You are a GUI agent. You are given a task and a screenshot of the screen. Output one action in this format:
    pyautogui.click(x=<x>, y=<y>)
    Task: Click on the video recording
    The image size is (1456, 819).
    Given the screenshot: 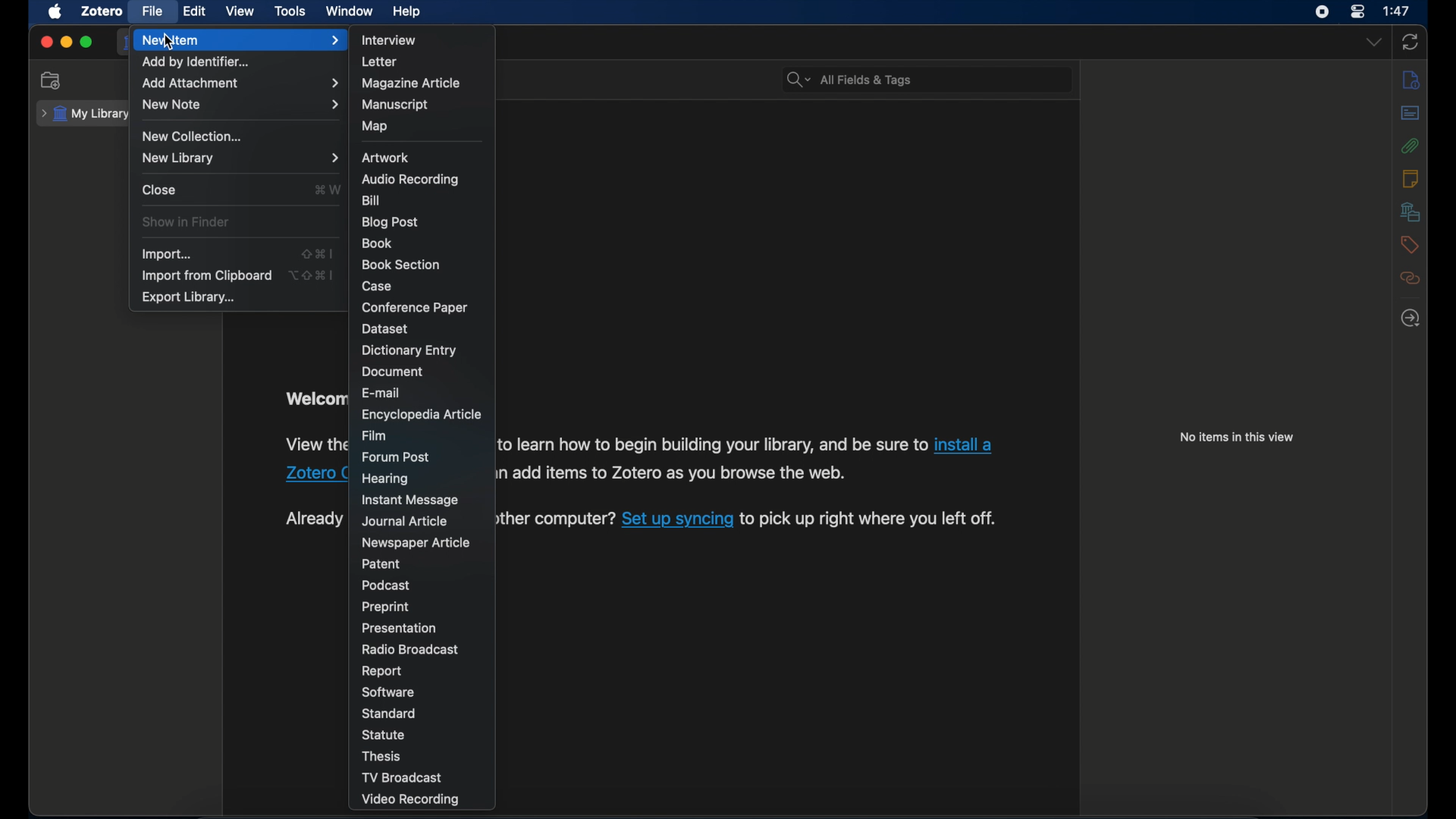 What is the action you would take?
    pyautogui.click(x=411, y=800)
    